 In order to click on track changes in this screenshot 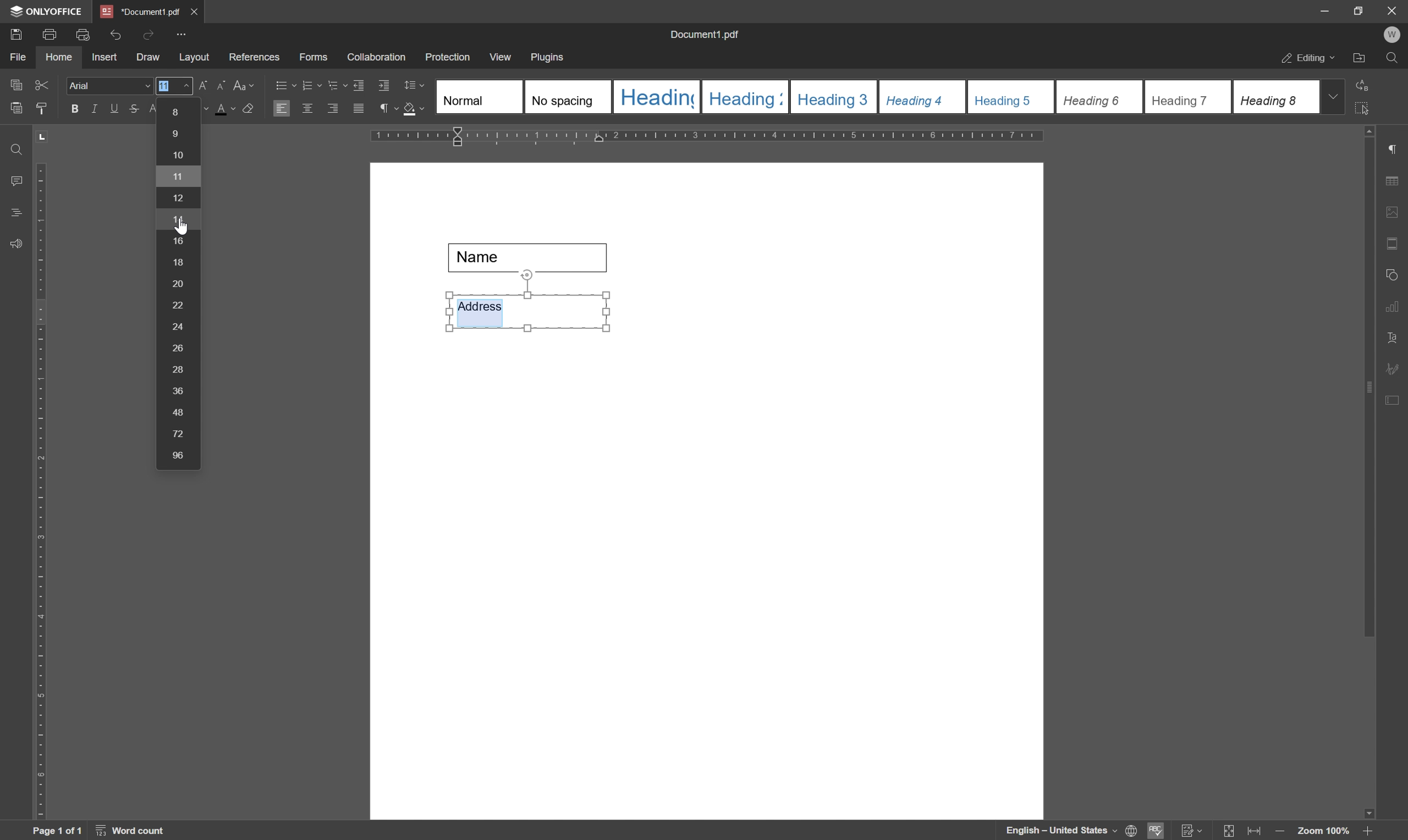, I will do `click(1191, 831)`.